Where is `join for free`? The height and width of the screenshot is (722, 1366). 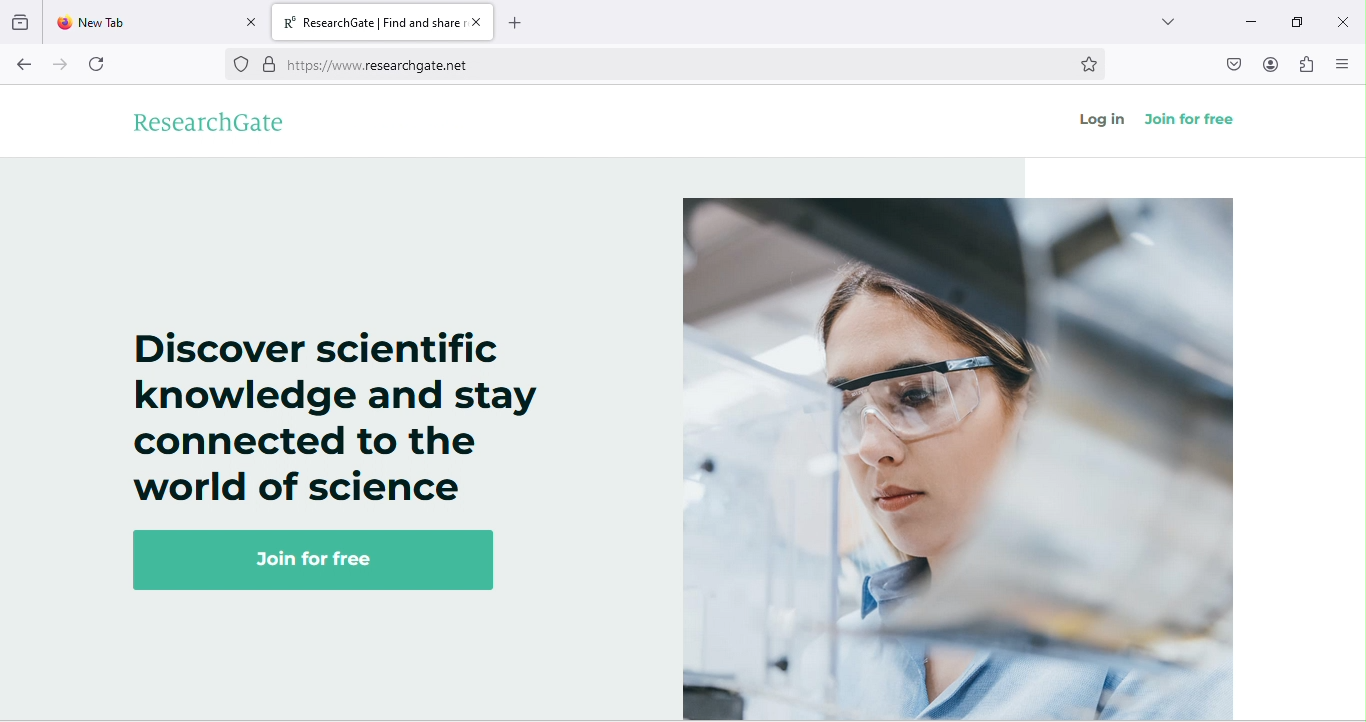 join for free is located at coordinates (316, 563).